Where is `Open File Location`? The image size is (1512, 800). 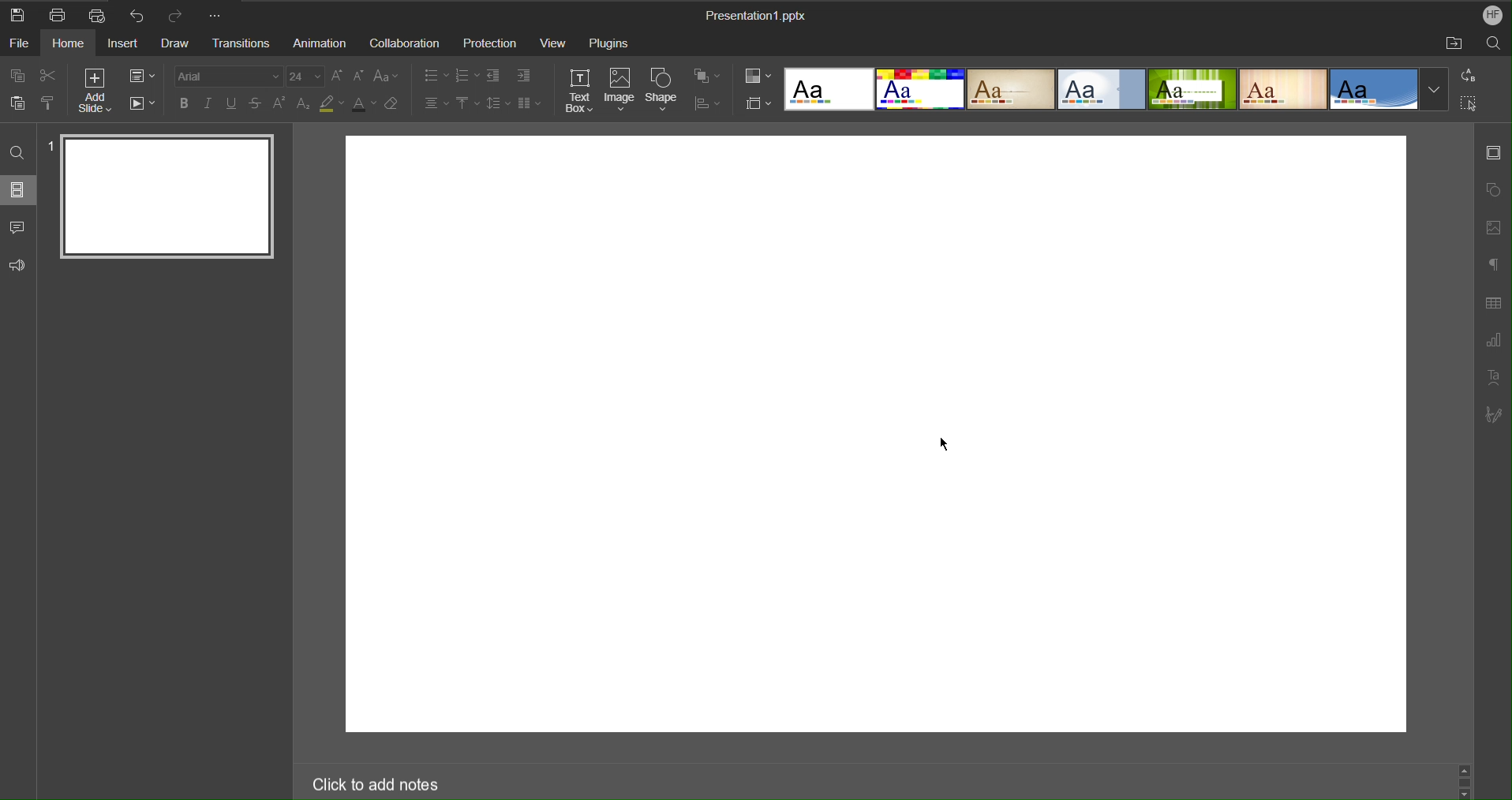 Open File Location is located at coordinates (1448, 45).